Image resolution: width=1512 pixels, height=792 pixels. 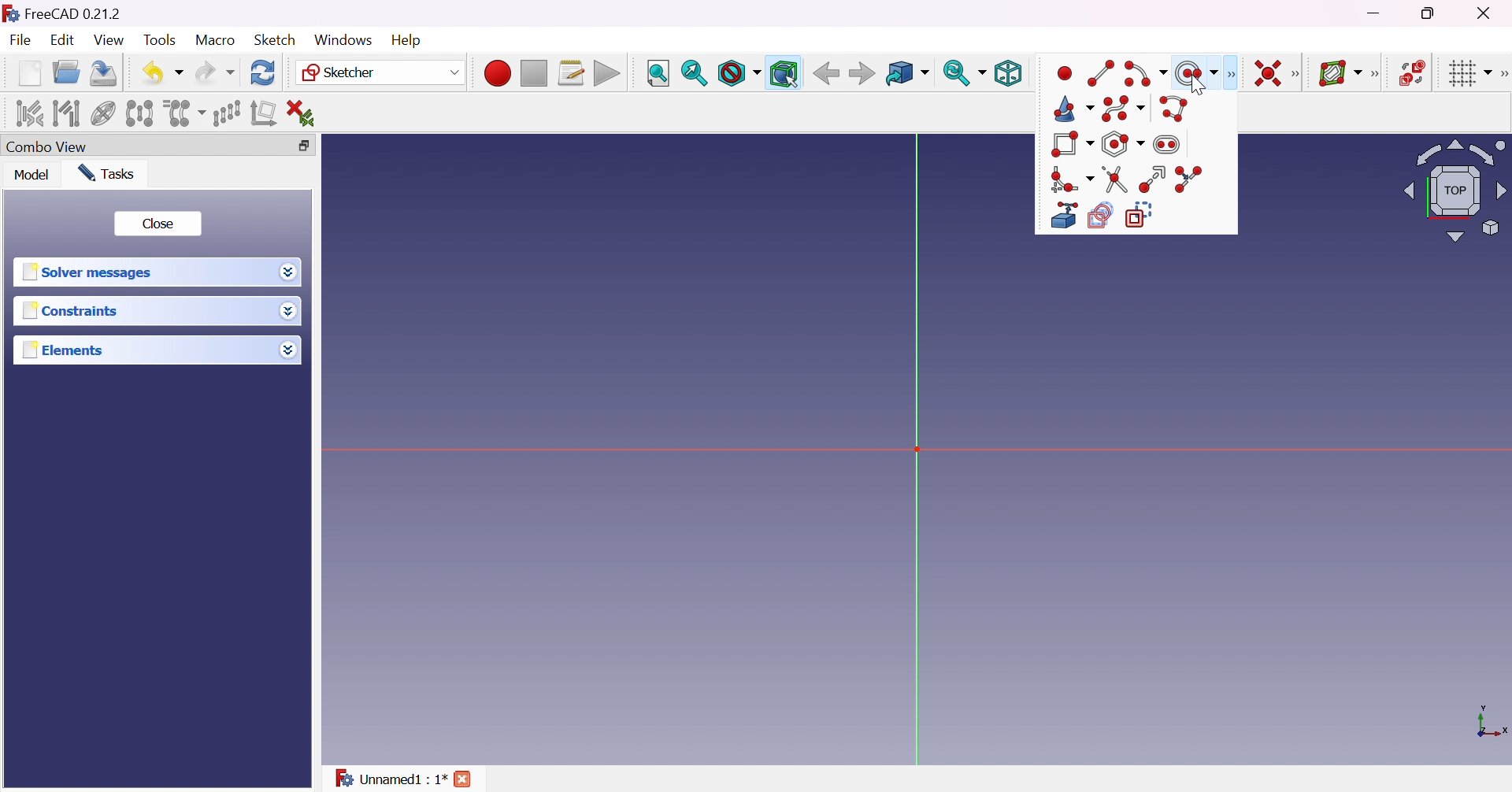 What do you see at coordinates (64, 42) in the screenshot?
I see `Edit` at bounding box center [64, 42].